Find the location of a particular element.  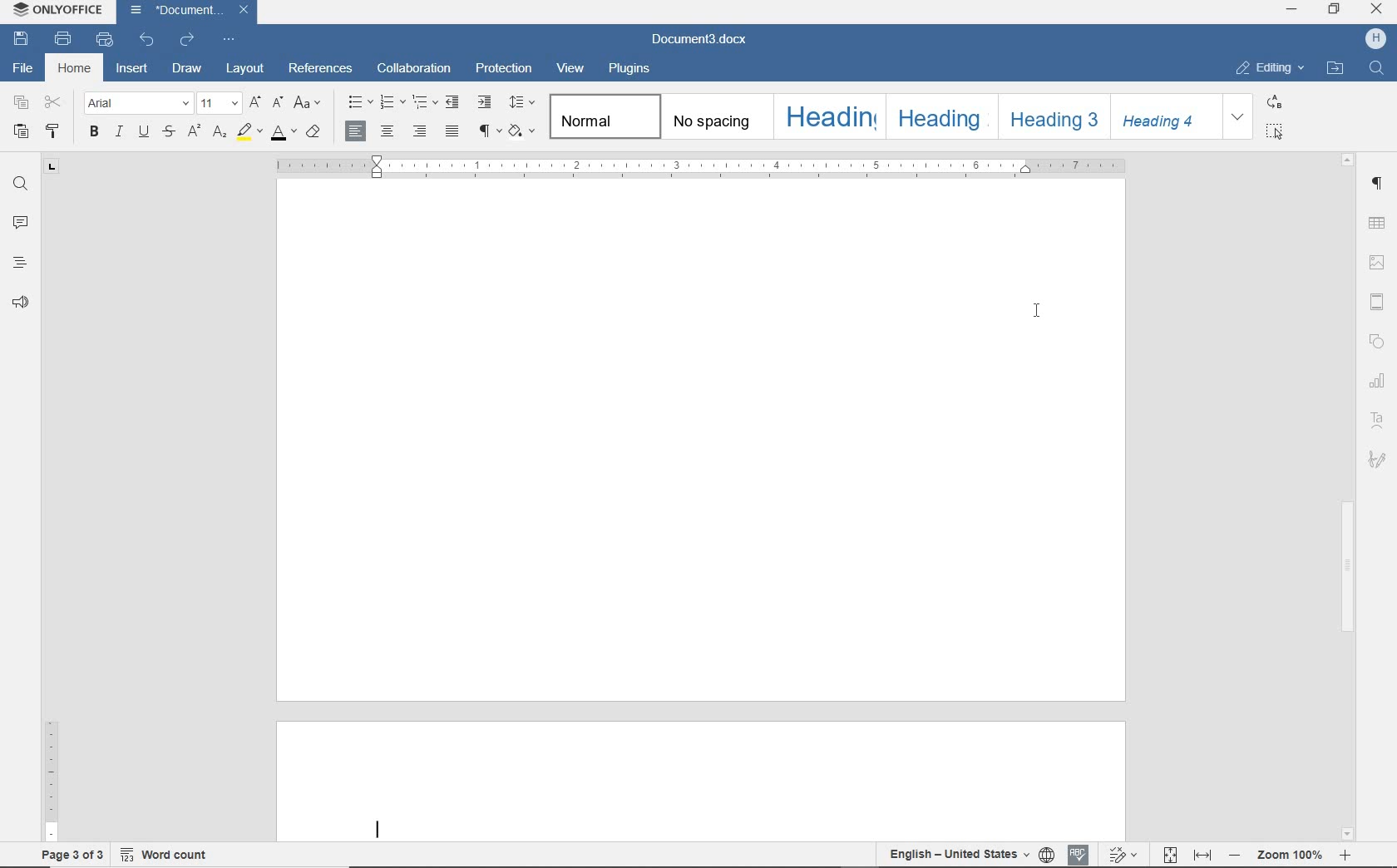

Charts is located at coordinates (1376, 377).